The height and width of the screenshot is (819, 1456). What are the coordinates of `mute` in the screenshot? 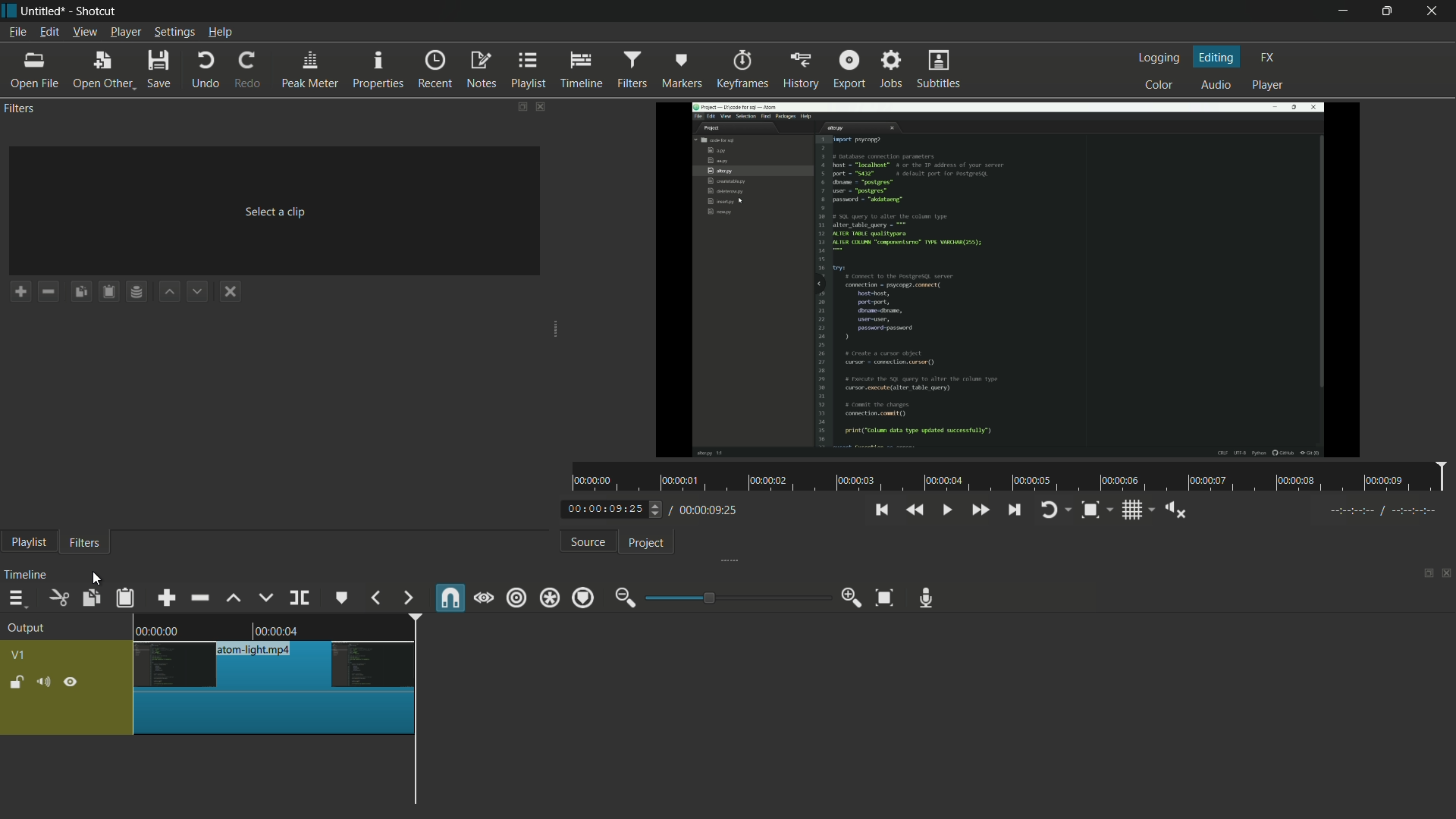 It's located at (42, 681).